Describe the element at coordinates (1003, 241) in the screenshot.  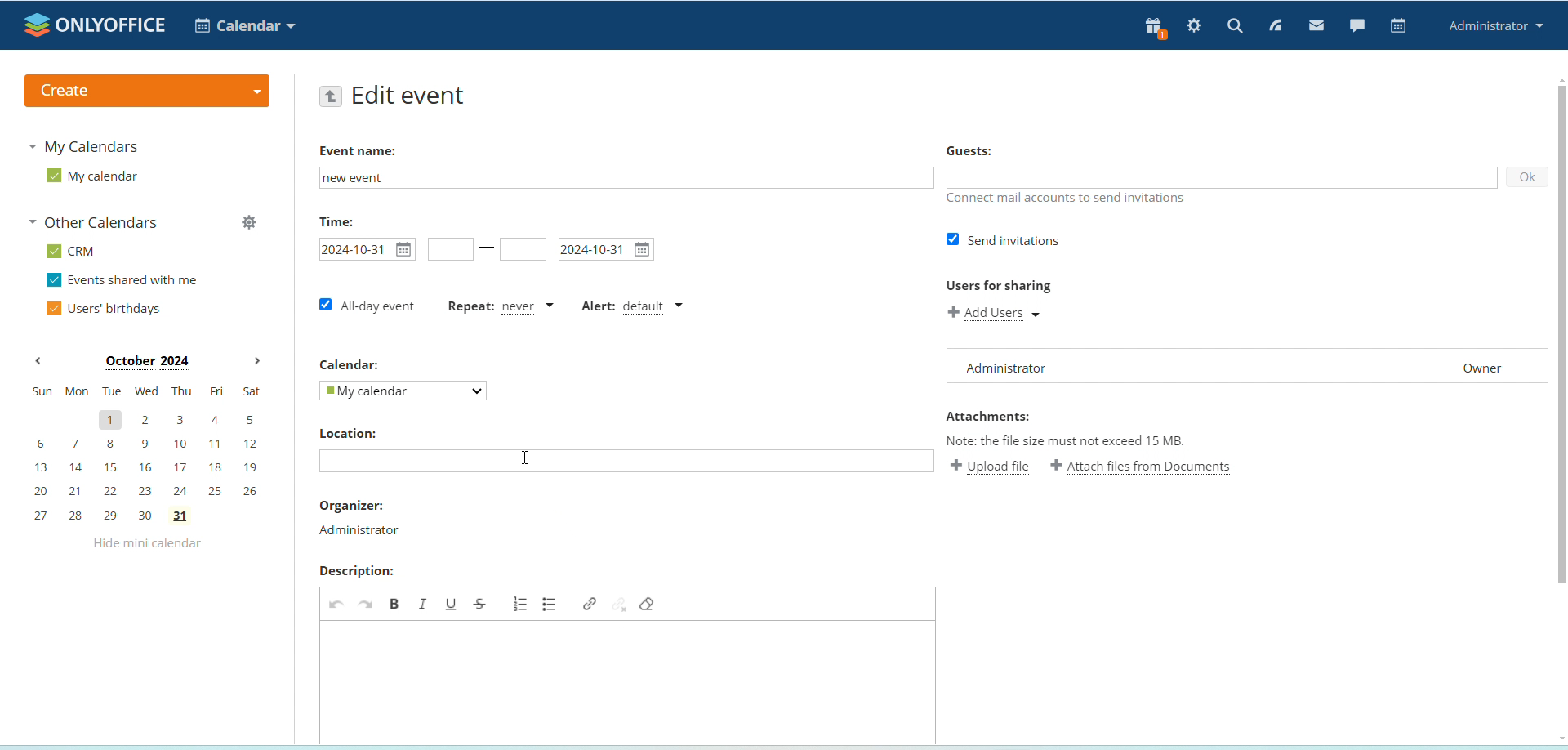
I see `send invitations` at that location.